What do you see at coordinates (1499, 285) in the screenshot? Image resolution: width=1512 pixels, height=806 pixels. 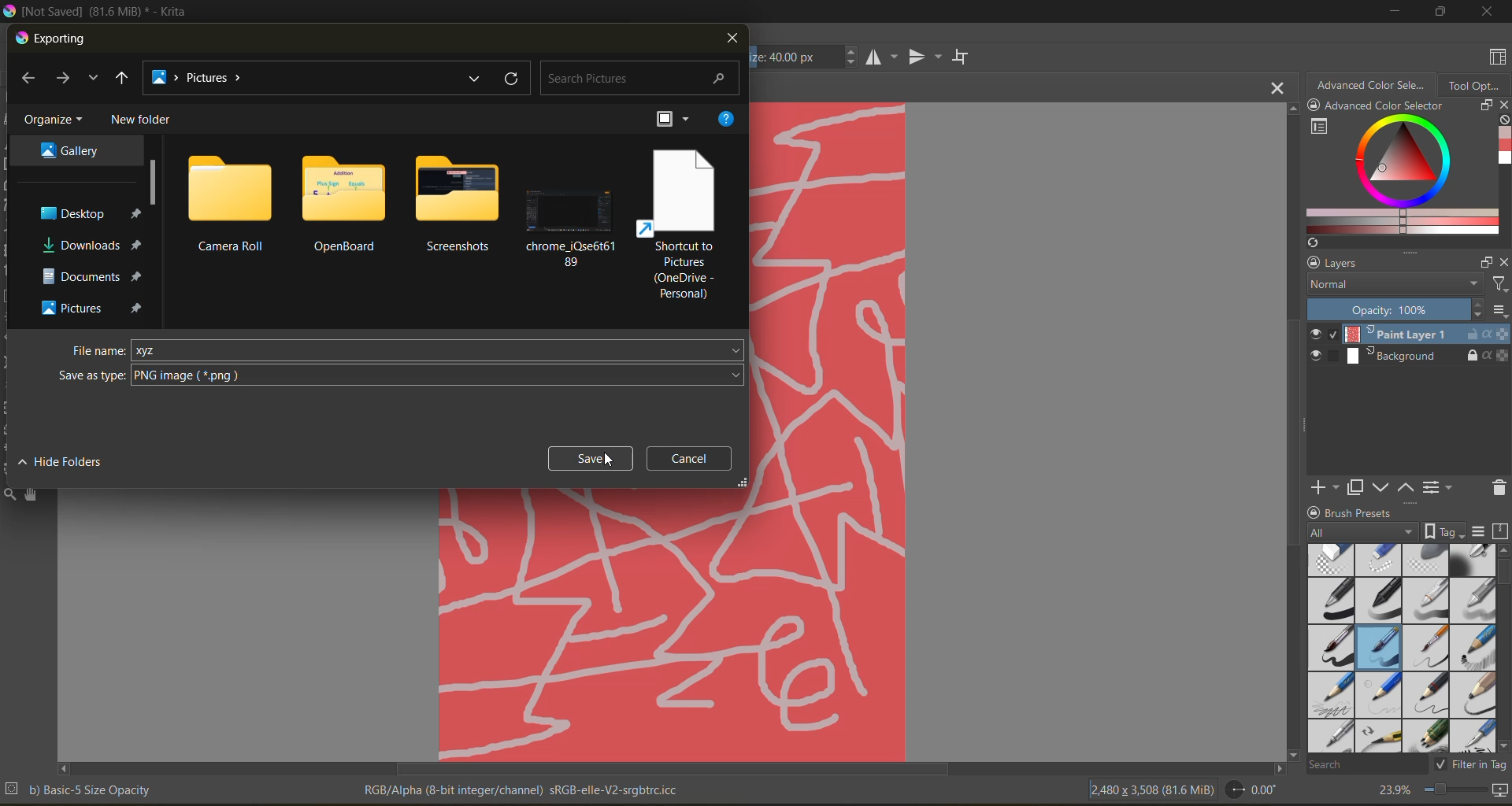 I see `filters` at bounding box center [1499, 285].